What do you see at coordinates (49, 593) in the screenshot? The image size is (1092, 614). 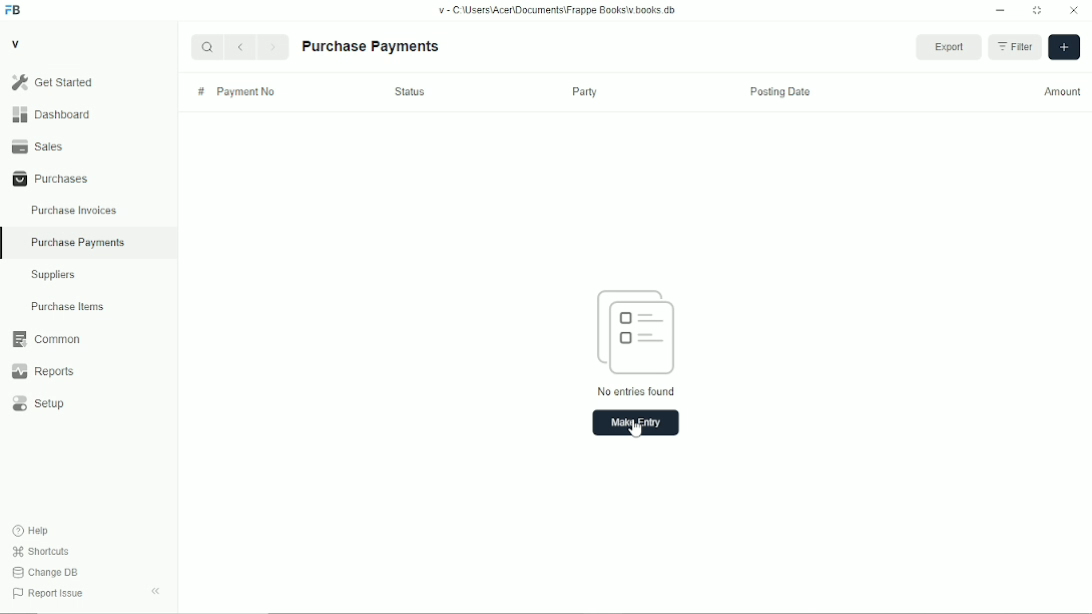 I see `Report Issue` at bounding box center [49, 593].